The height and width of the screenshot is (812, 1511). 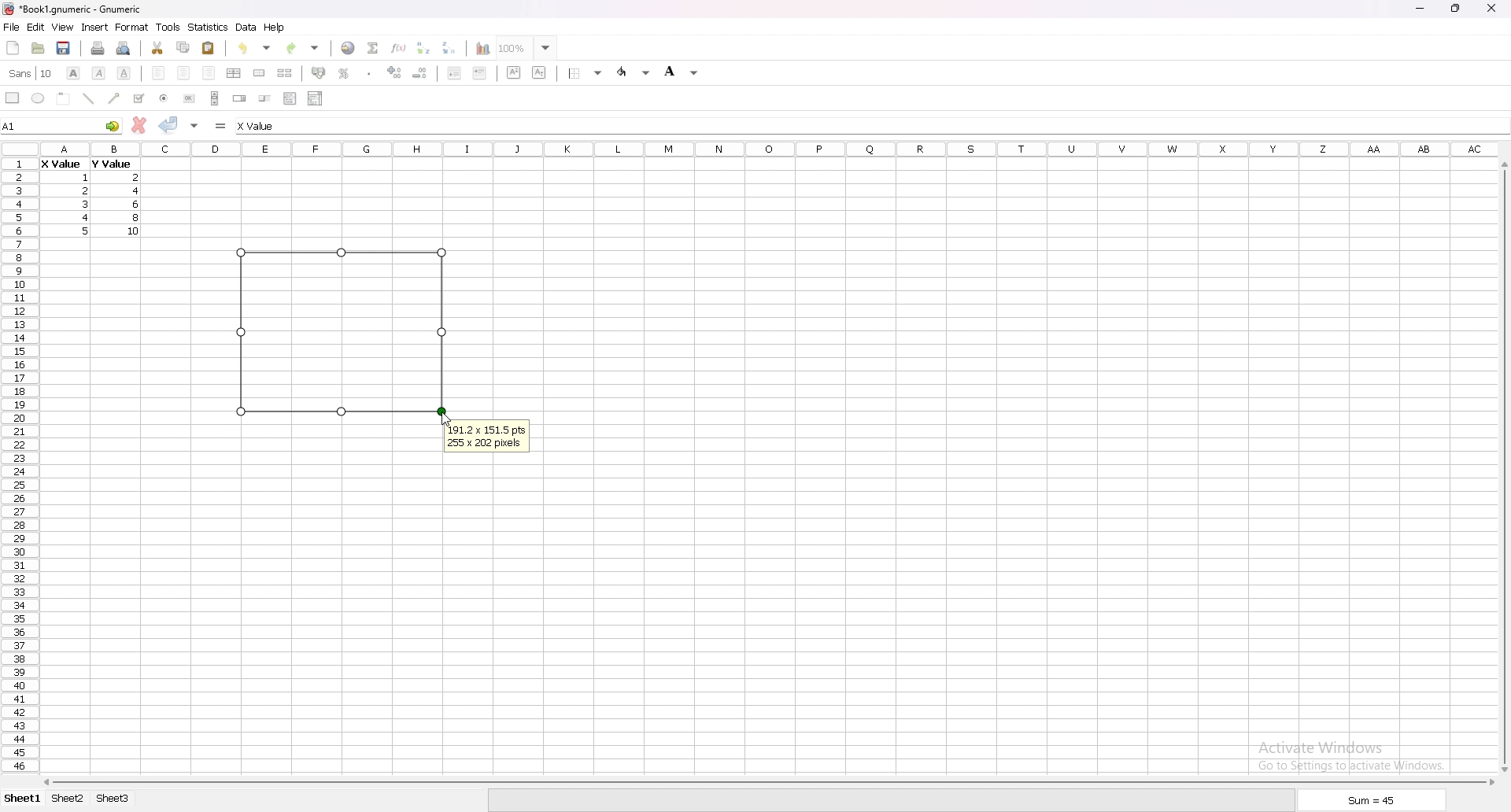 What do you see at coordinates (372, 47) in the screenshot?
I see `summation` at bounding box center [372, 47].